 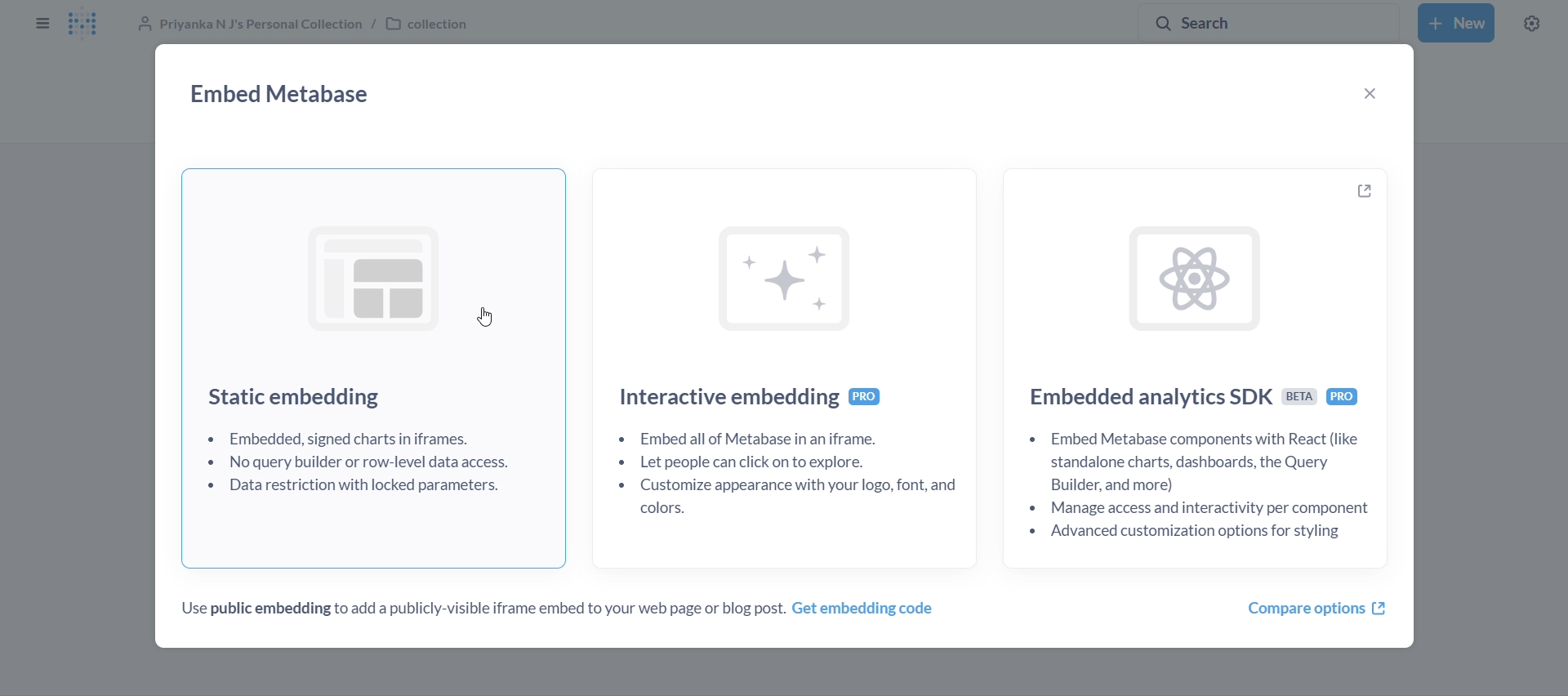 What do you see at coordinates (285, 96) in the screenshot?
I see `embed metabase` at bounding box center [285, 96].